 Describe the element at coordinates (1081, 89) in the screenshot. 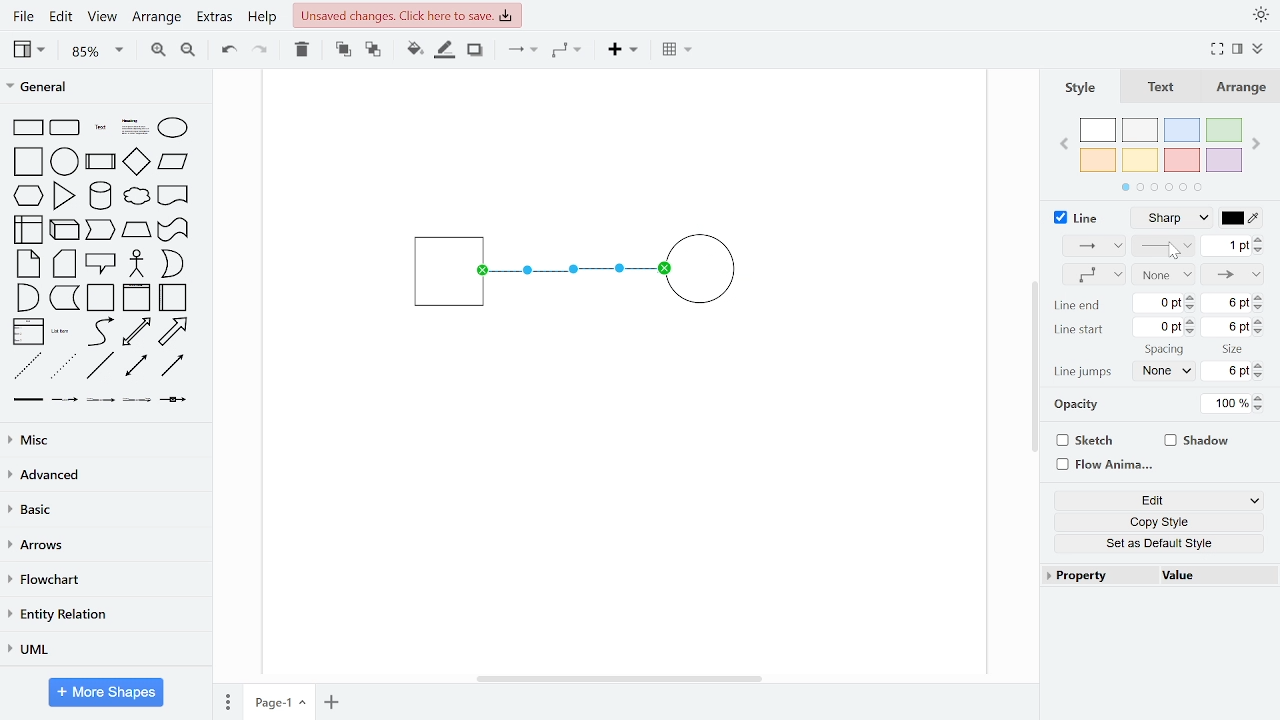

I see `style` at that location.